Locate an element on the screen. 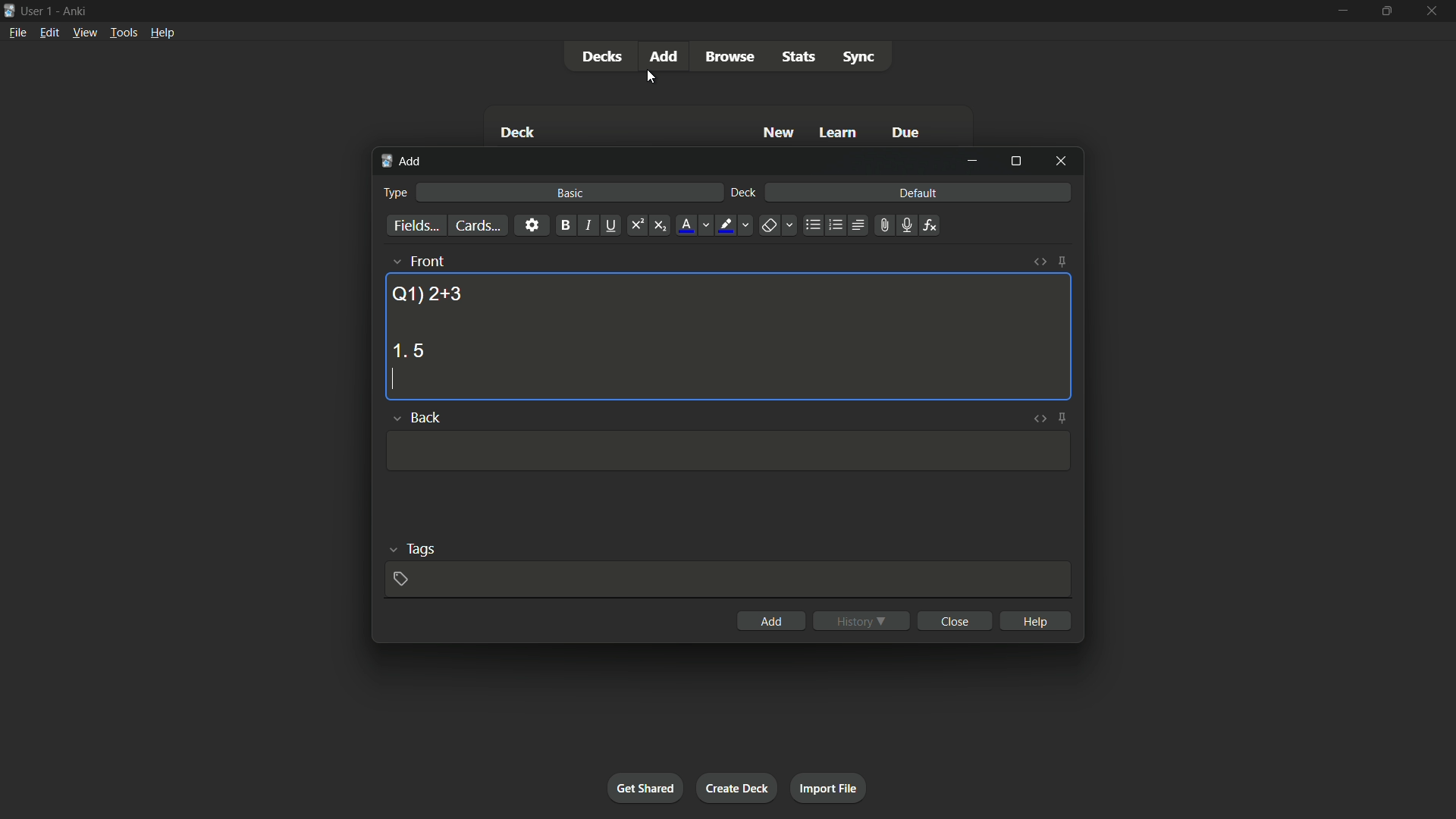  maximize is located at coordinates (1015, 161).